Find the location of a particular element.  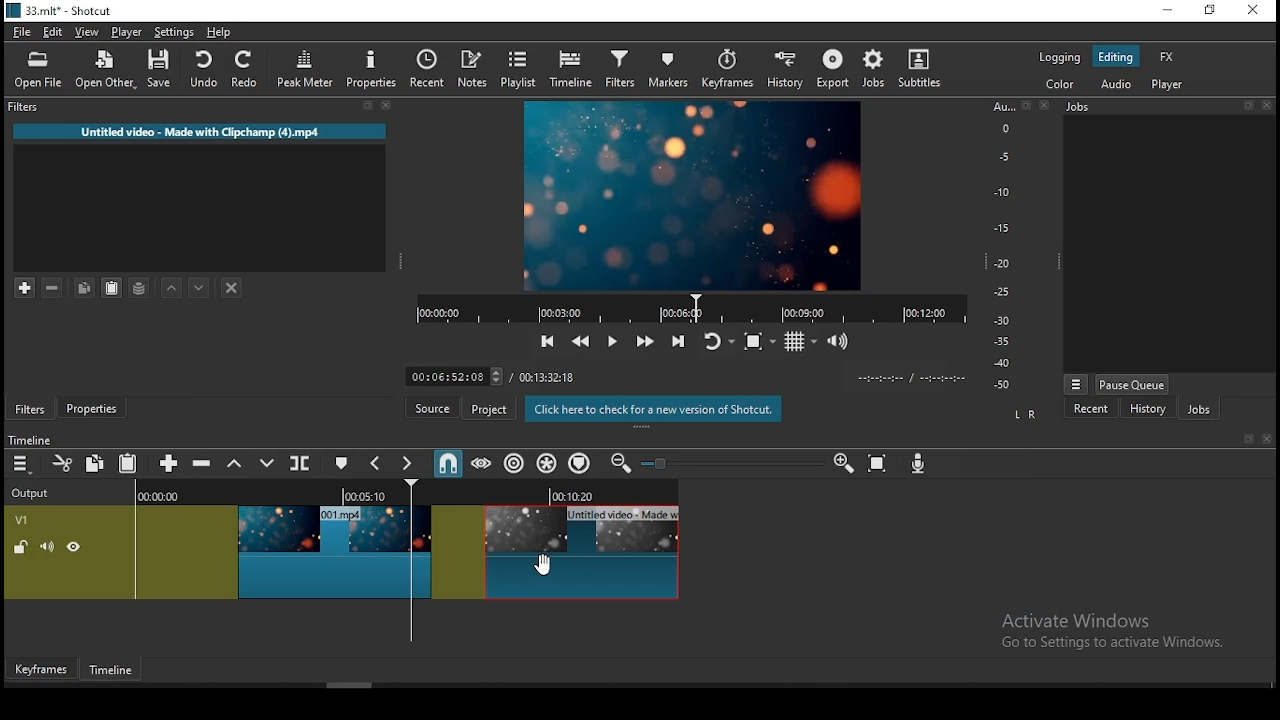

open other is located at coordinates (103, 70).